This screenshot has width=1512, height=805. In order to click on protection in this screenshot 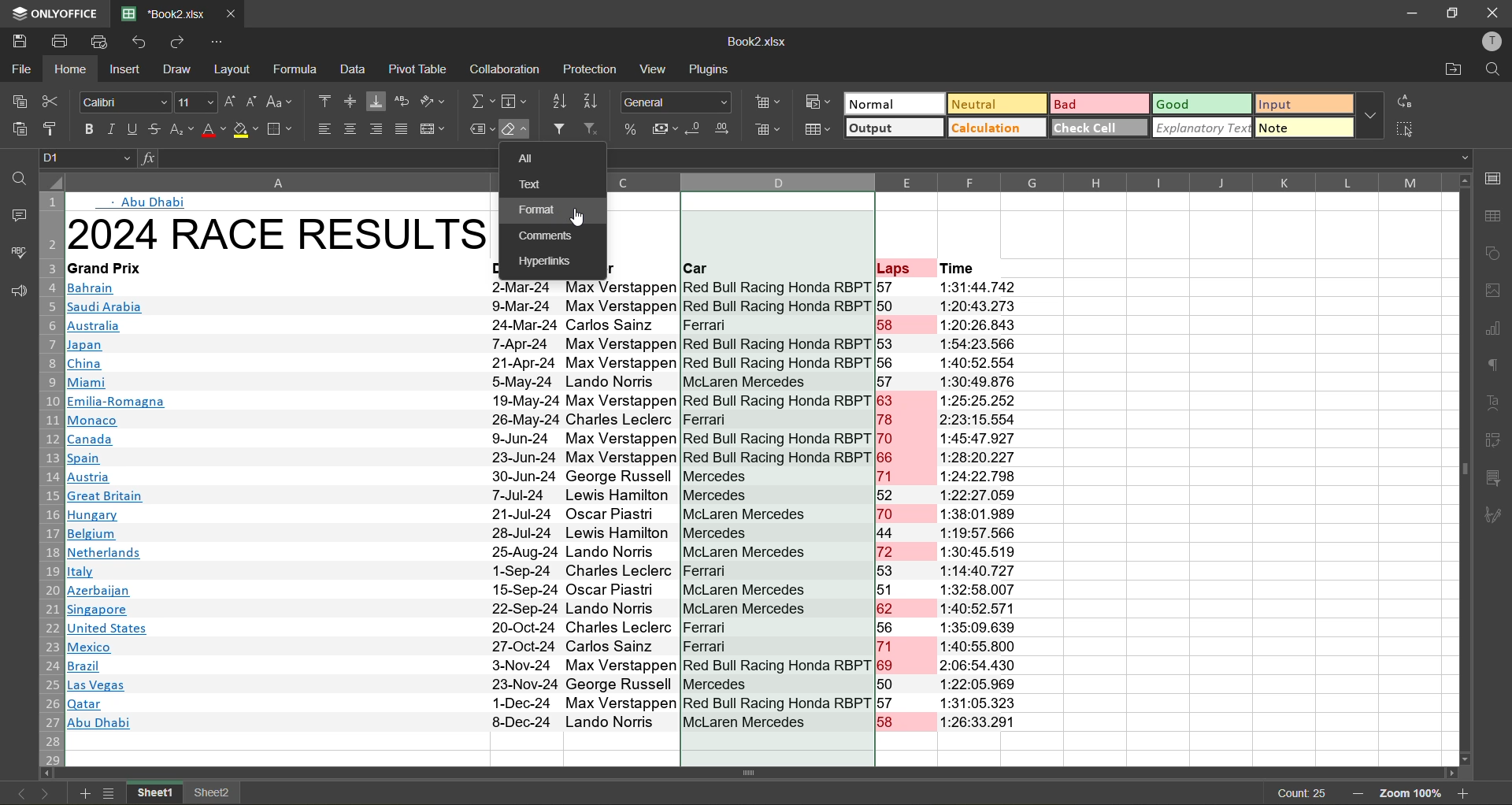, I will do `click(591, 67)`.